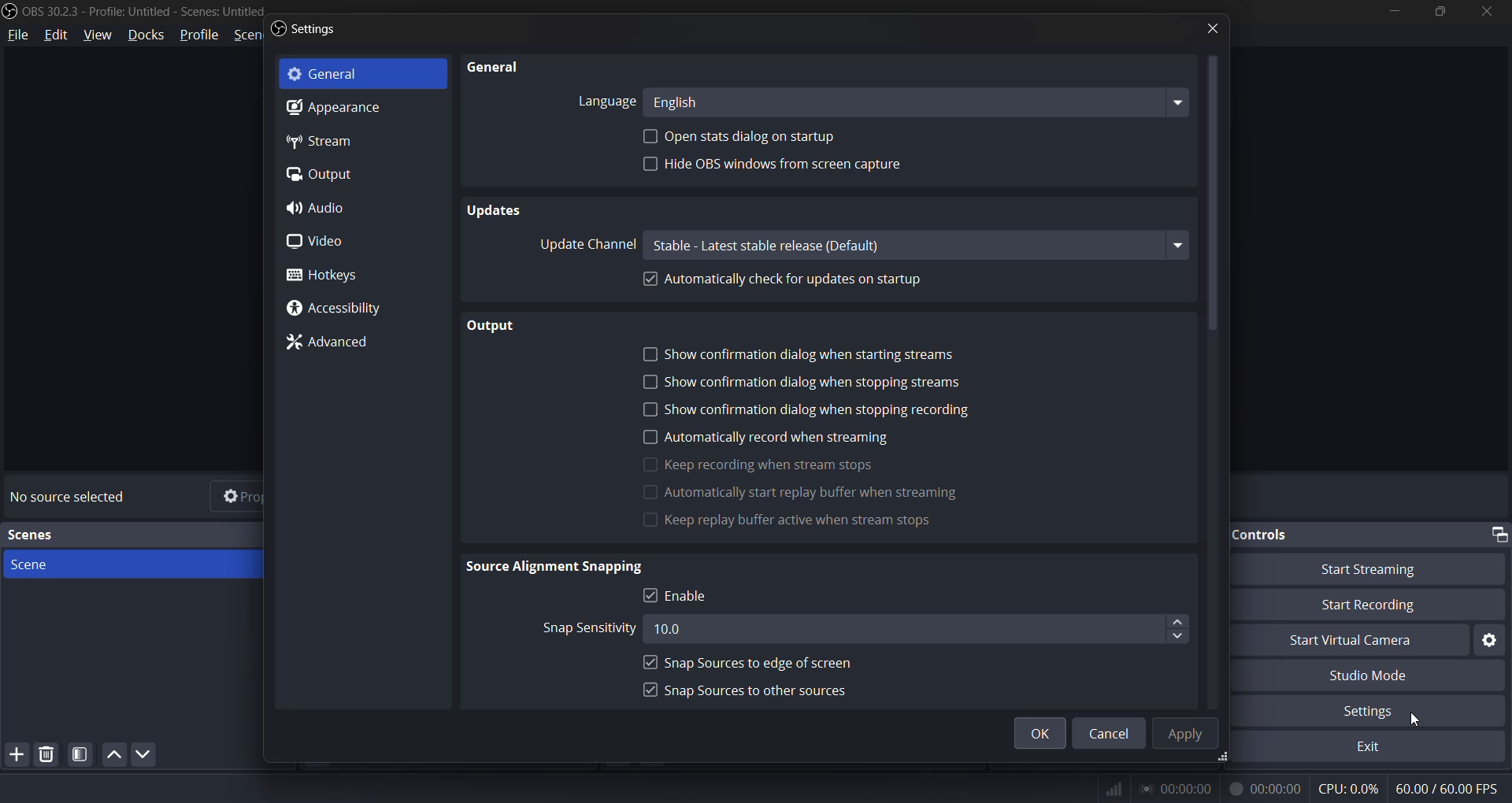  What do you see at coordinates (150, 35) in the screenshot?
I see `docks` at bounding box center [150, 35].